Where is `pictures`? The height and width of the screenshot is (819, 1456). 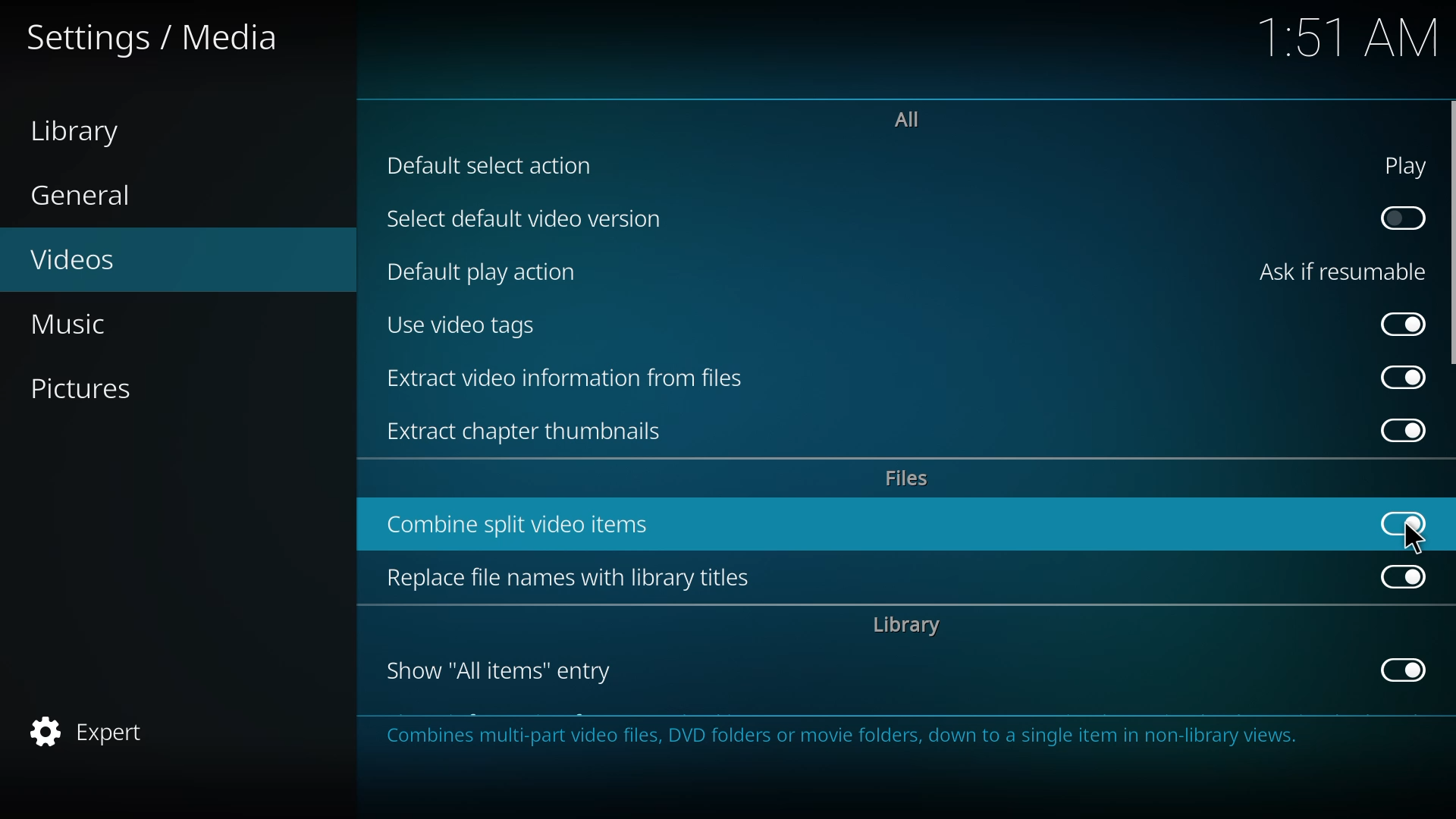
pictures is located at coordinates (91, 391).